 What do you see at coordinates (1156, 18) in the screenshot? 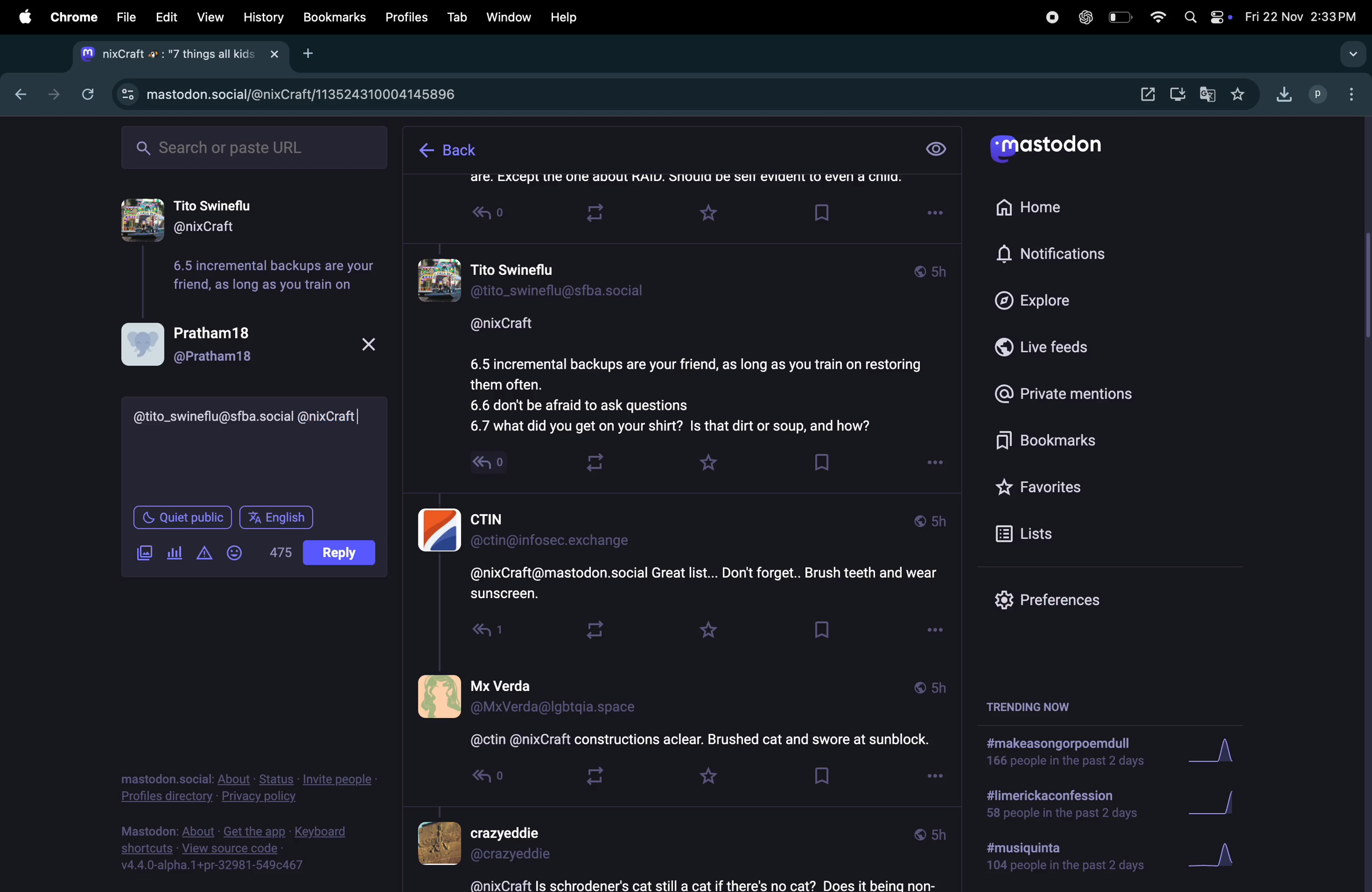
I see `wifi` at bounding box center [1156, 18].